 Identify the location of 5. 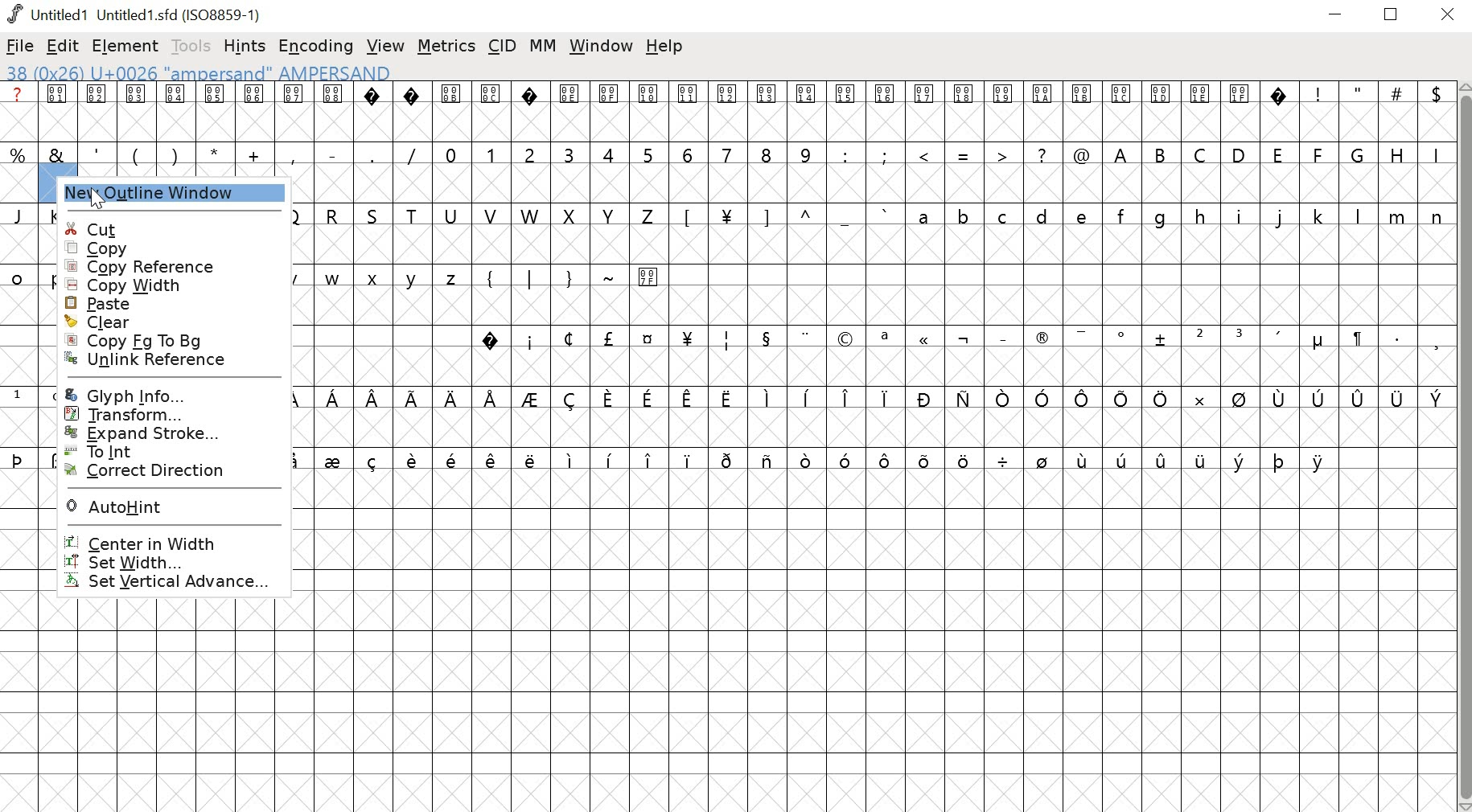
(648, 154).